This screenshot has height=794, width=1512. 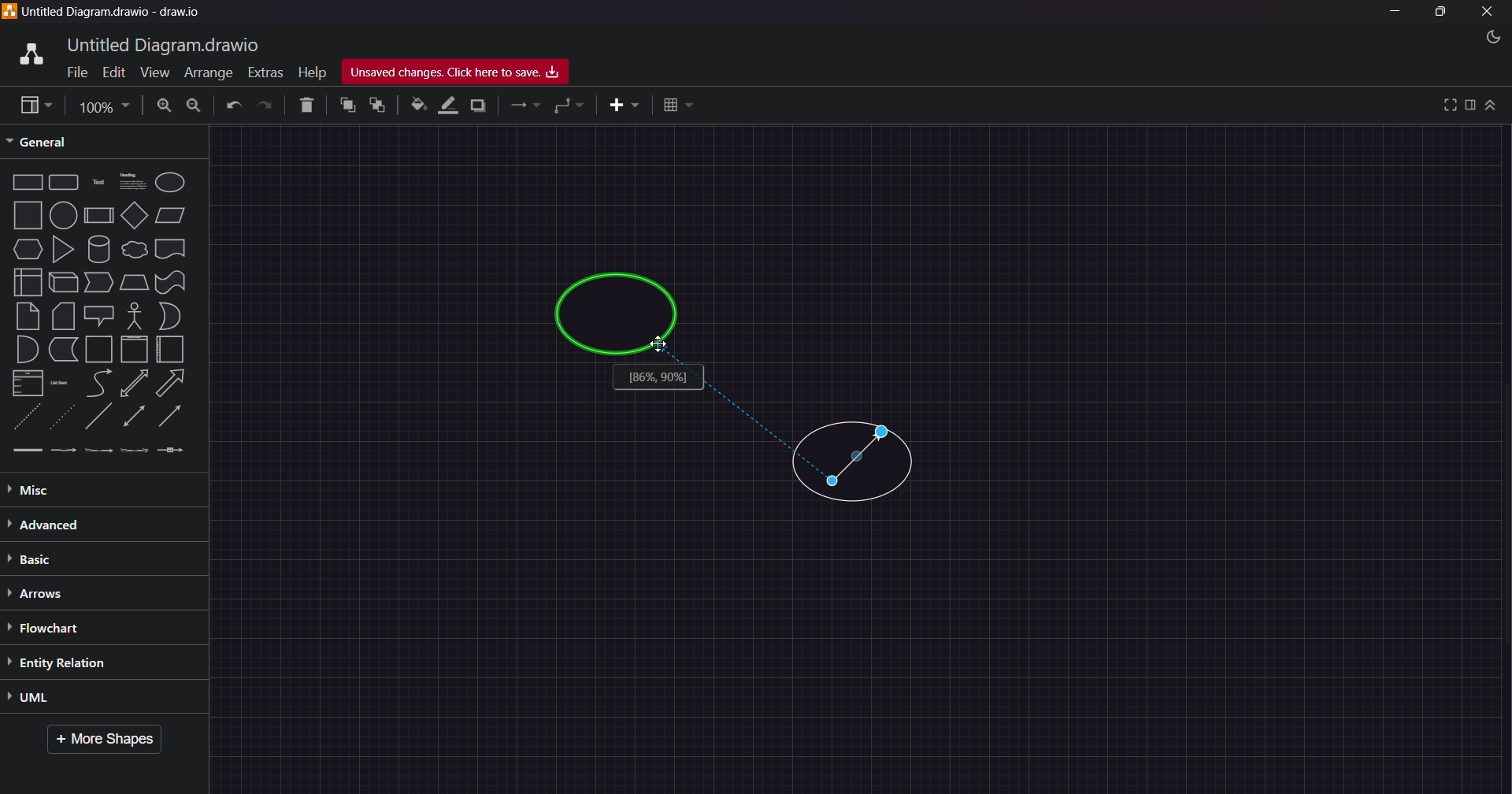 I want to click on Edit, so click(x=110, y=71).